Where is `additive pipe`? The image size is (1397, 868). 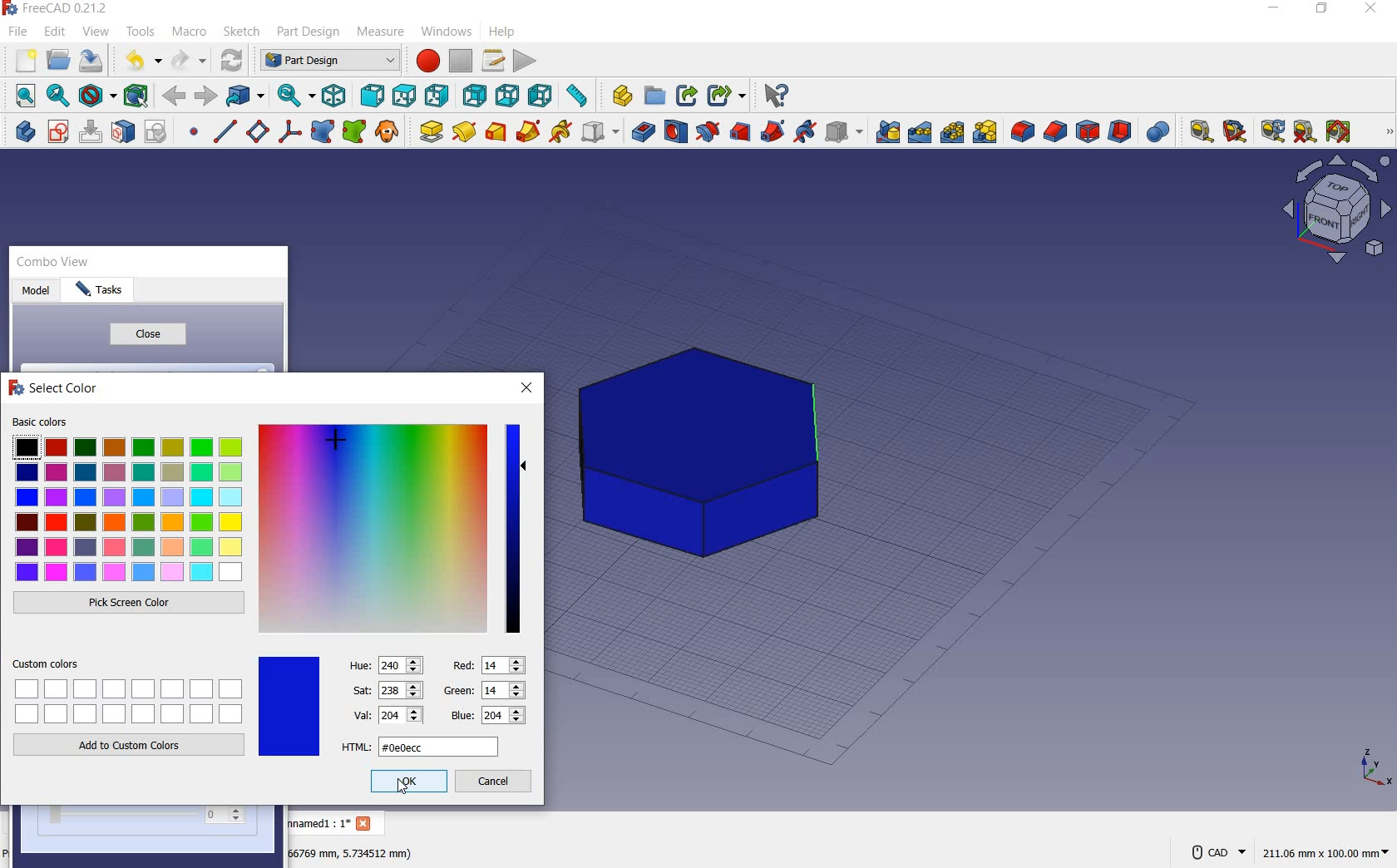
additive pipe is located at coordinates (529, 131).